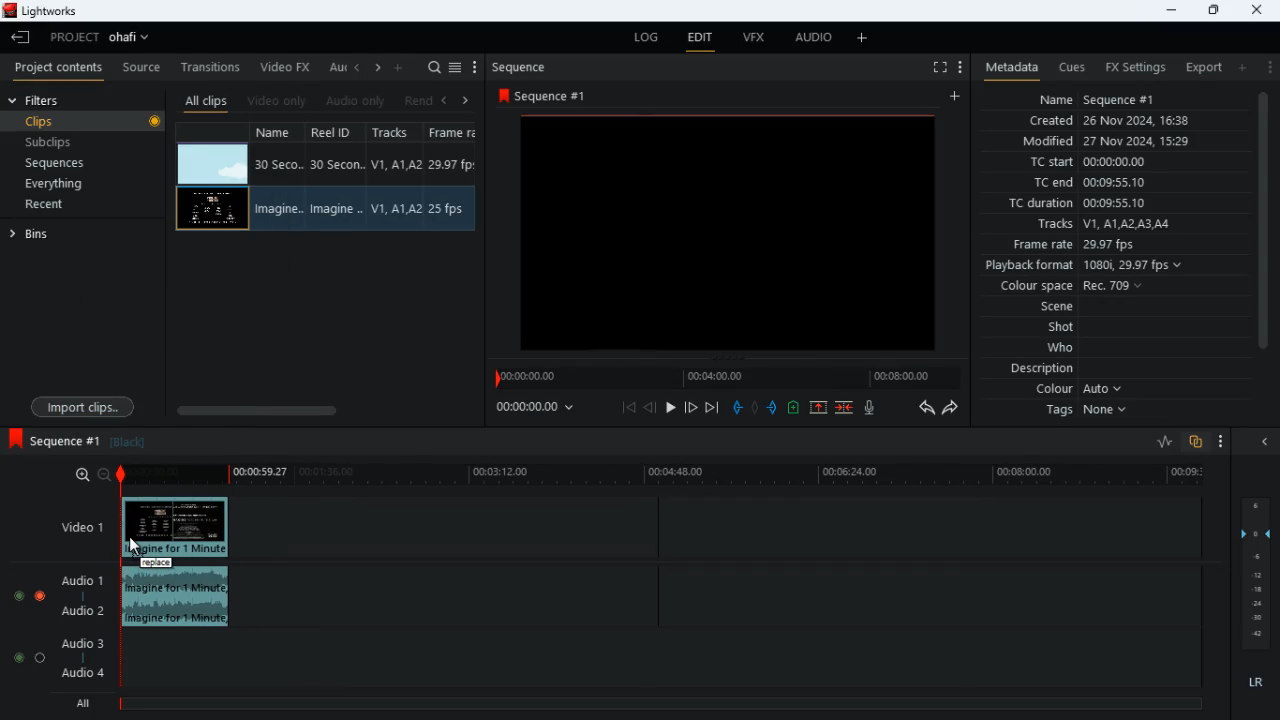  I want to click on scene, so click(1058, 308).